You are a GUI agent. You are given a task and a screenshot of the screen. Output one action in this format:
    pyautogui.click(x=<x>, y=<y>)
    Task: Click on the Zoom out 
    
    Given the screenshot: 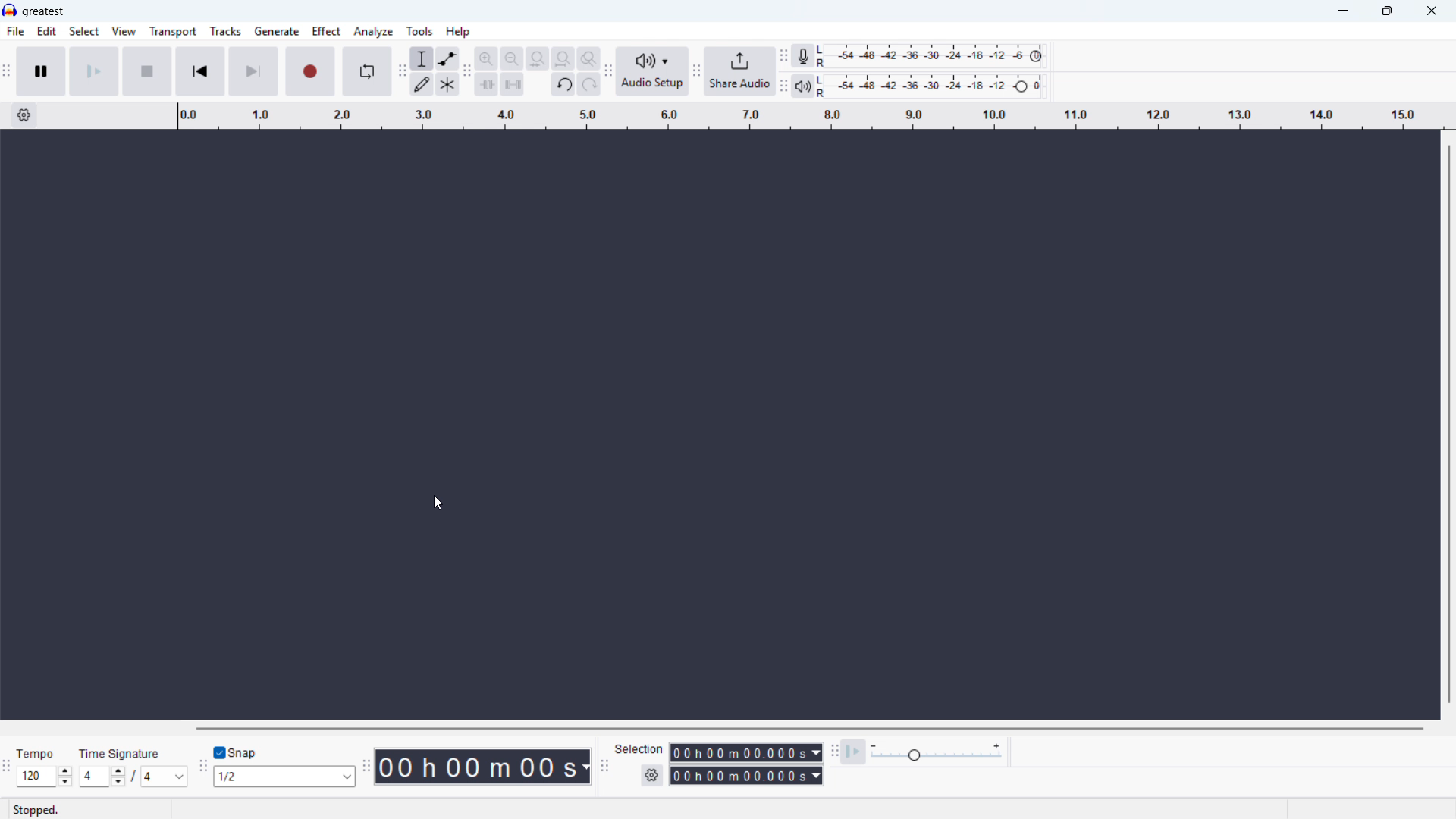 What is the action you would take?
    pyautogui.click(x=512, y=58)
    